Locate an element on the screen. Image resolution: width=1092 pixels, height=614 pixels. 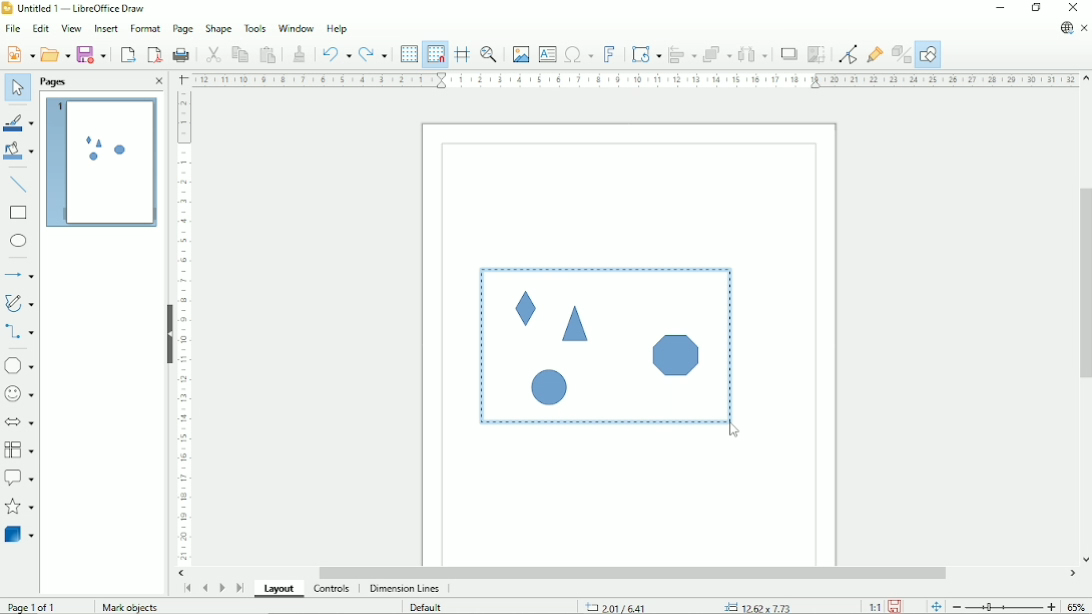
View is located at coordinates (70, 28).